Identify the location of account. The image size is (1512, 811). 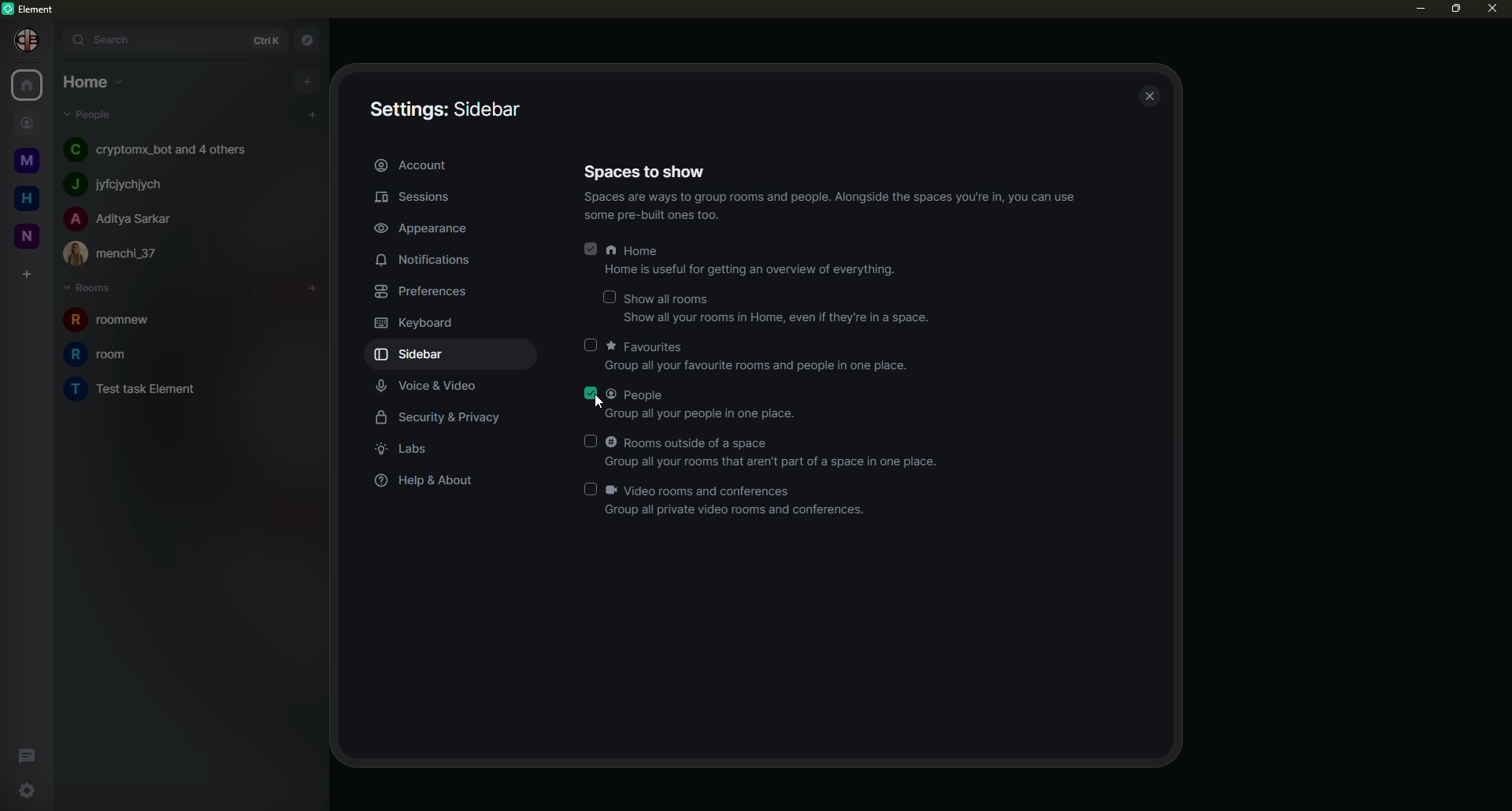
(424, 165).